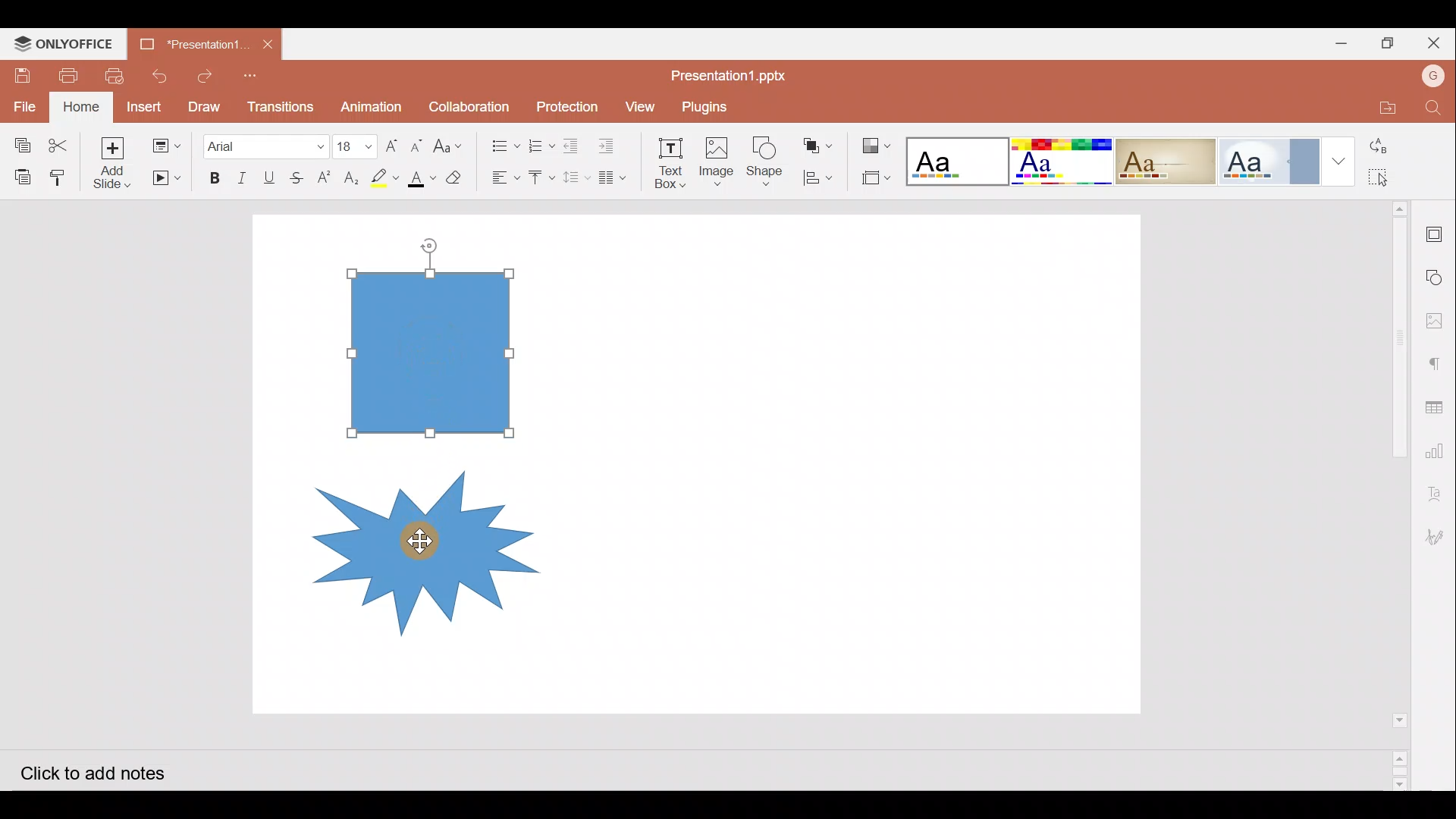 Image resolution: width=1456 pixels, height=819 pixels. Describe the element at coordinates (252, 73) in the screenshot. I see `Customize quick access toolbar` at that location.